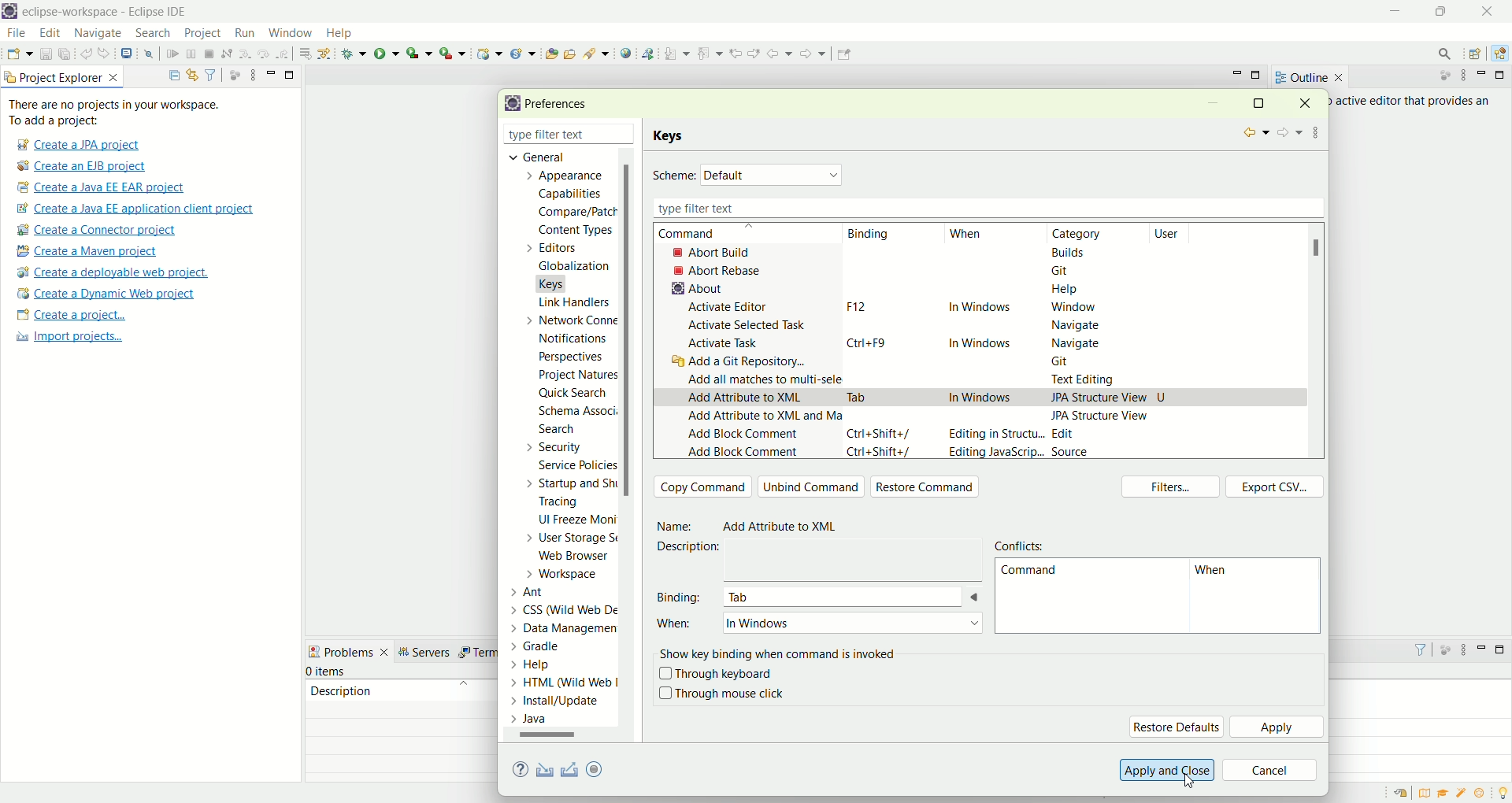  Describe the element at coordinates (20, 56) in the screenshot. I see `open` at that location.